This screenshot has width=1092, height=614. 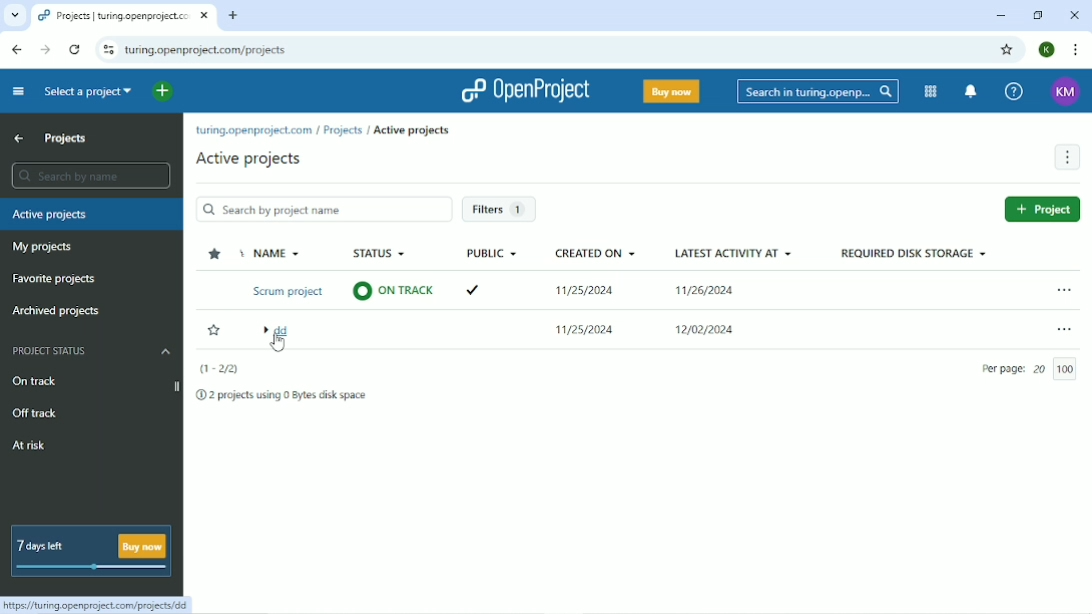 I want to click on Per page, so click(x=1029, y=370).